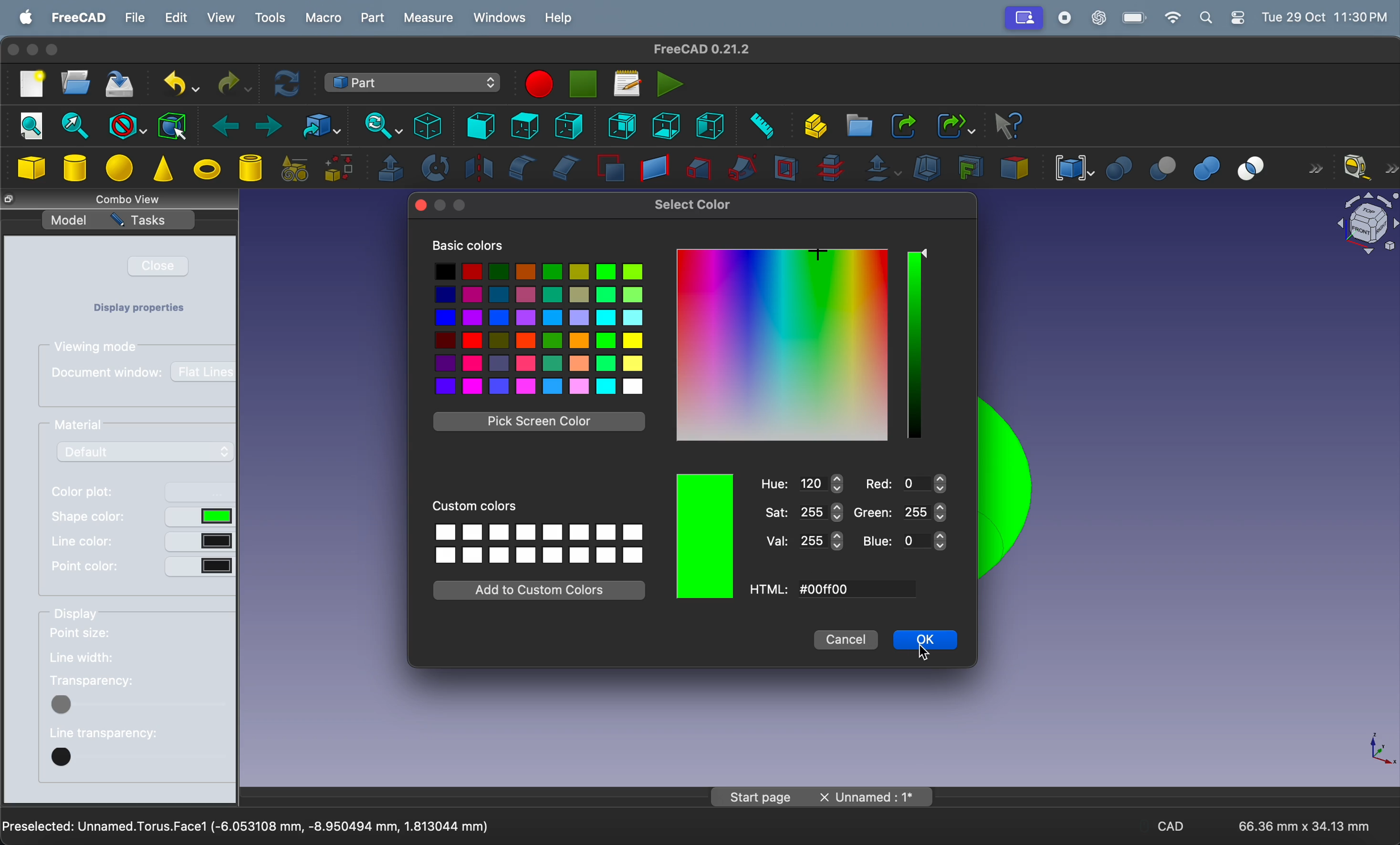 Image resolution: width=1400 pixels, height=845 pixels. I want to click on maximize, so click(460, 205).